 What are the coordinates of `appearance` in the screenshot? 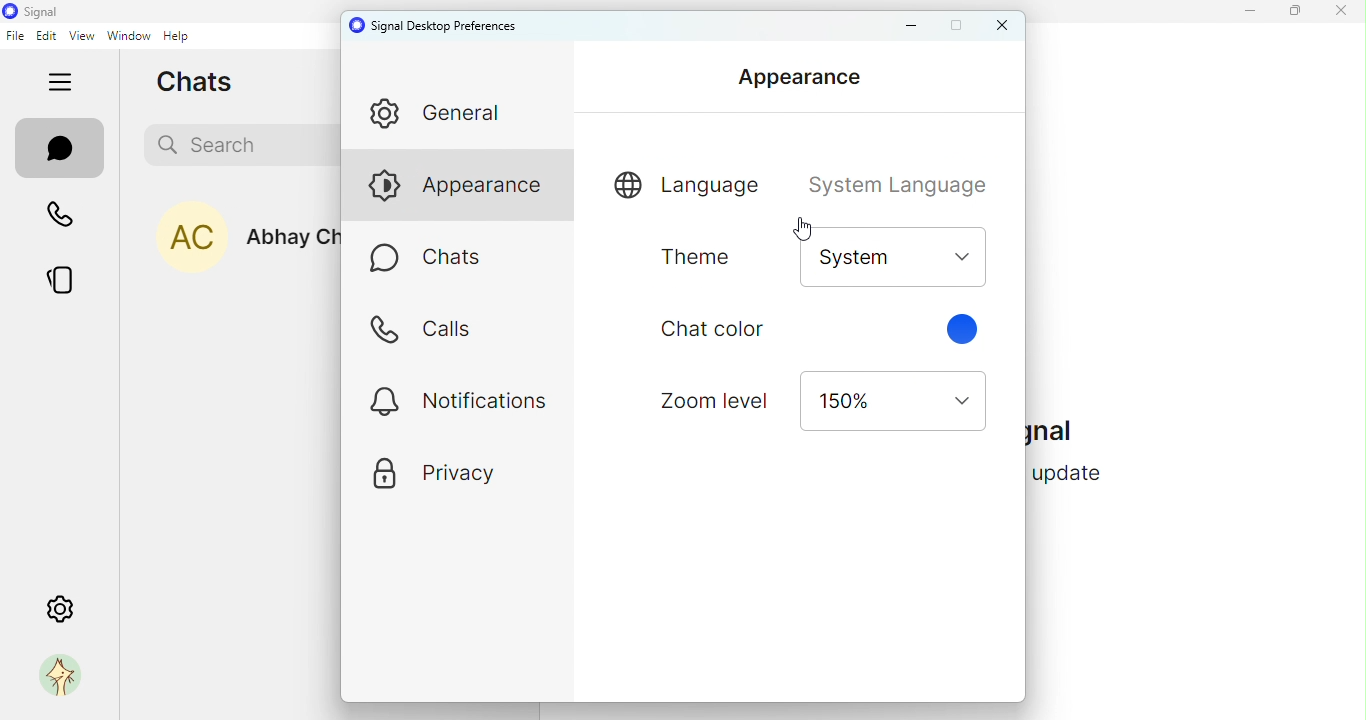 It's located at (446, 184).